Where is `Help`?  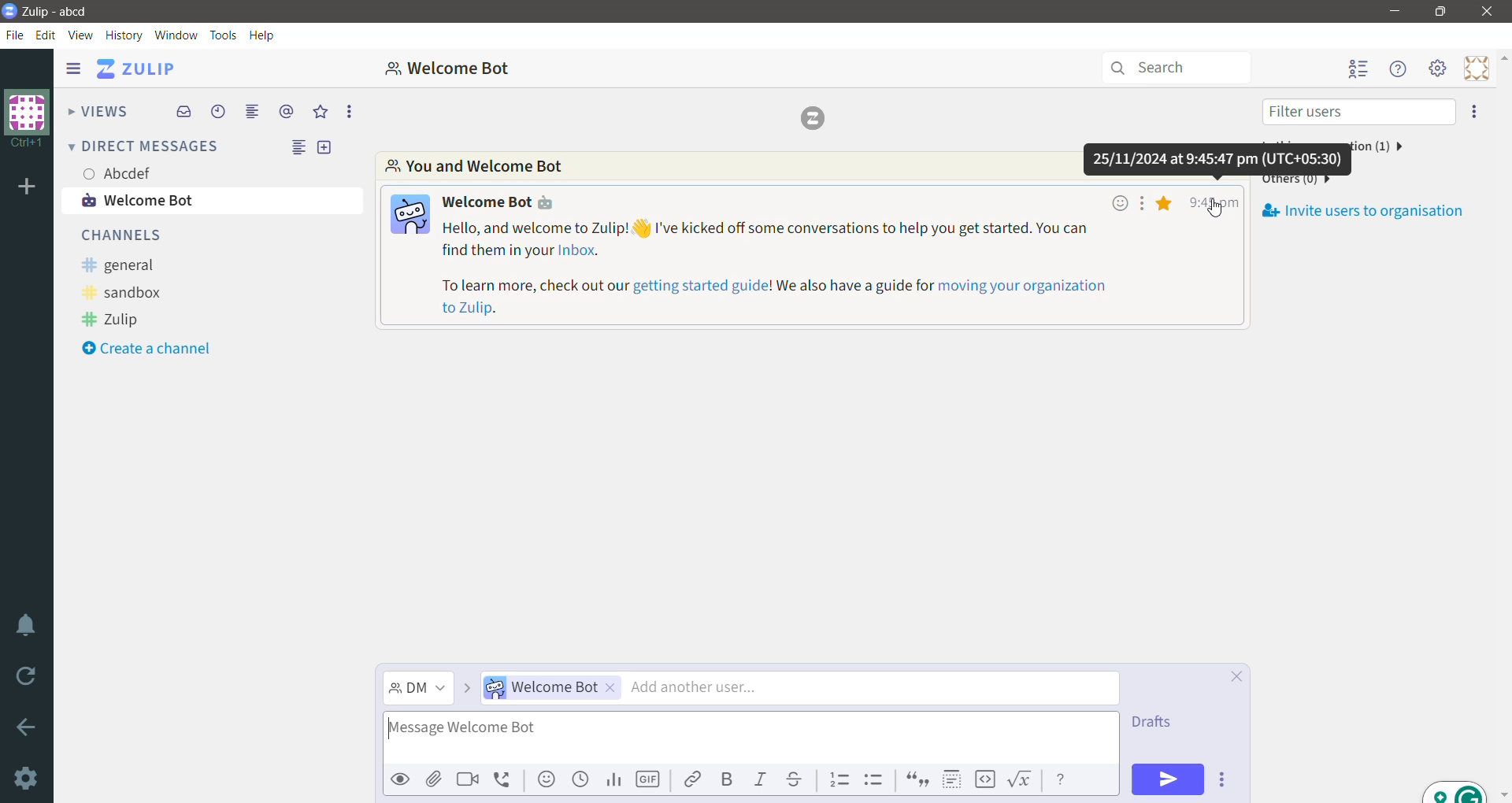 Help is located at coordinates (263, 33).